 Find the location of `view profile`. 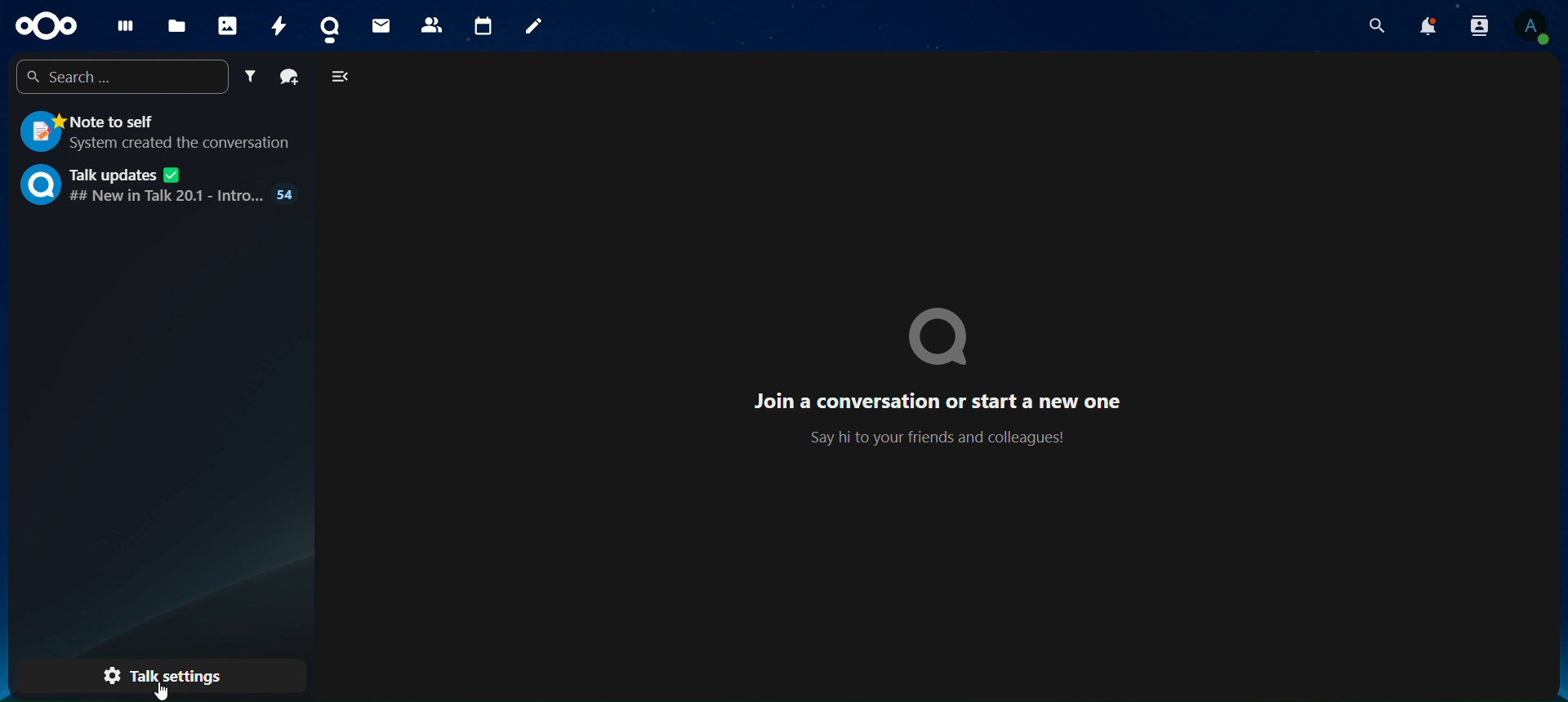

view profile is located at coordinates (1533, 28).